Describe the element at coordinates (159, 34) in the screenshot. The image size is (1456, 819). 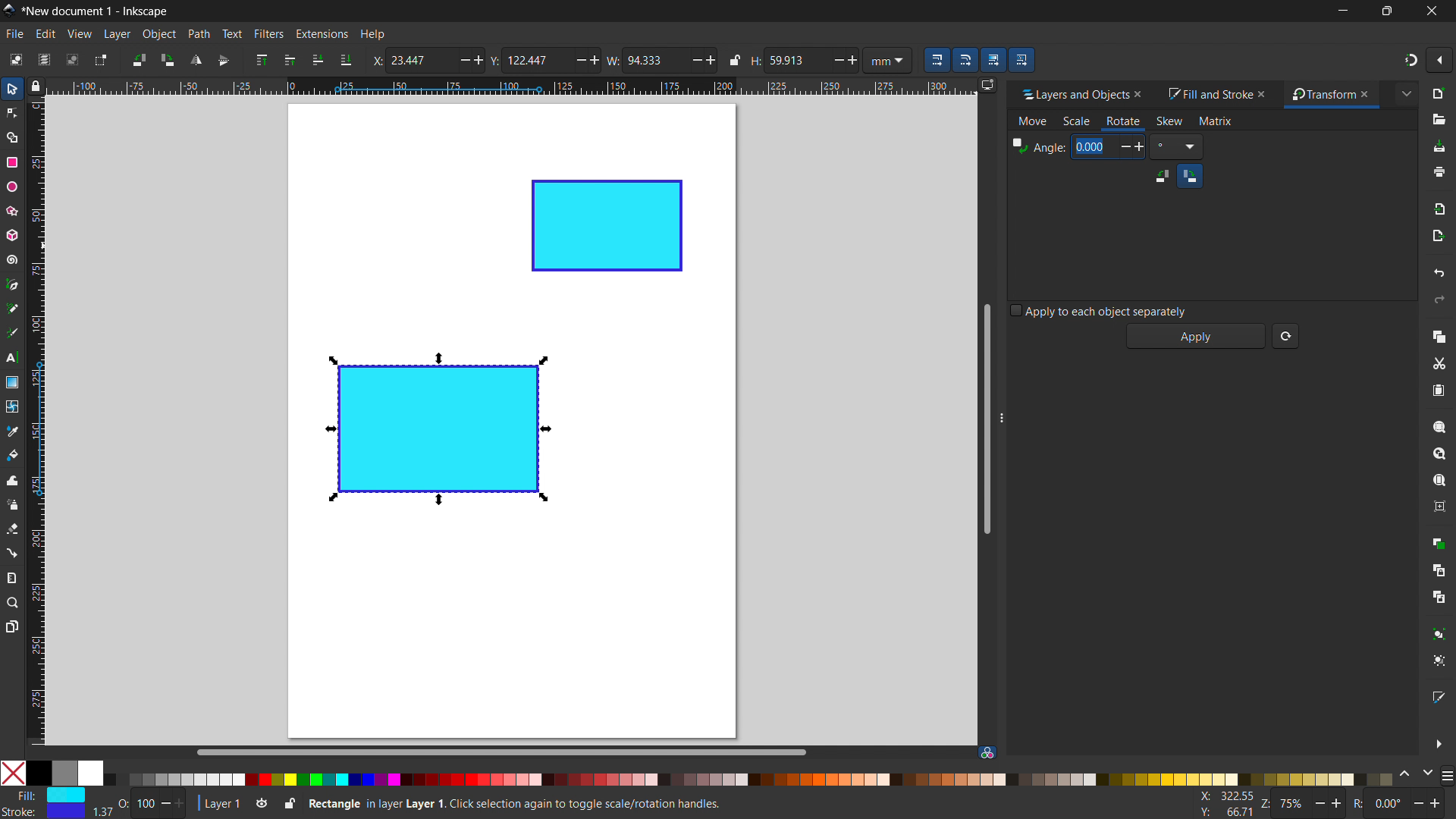
I see `object` at that location.